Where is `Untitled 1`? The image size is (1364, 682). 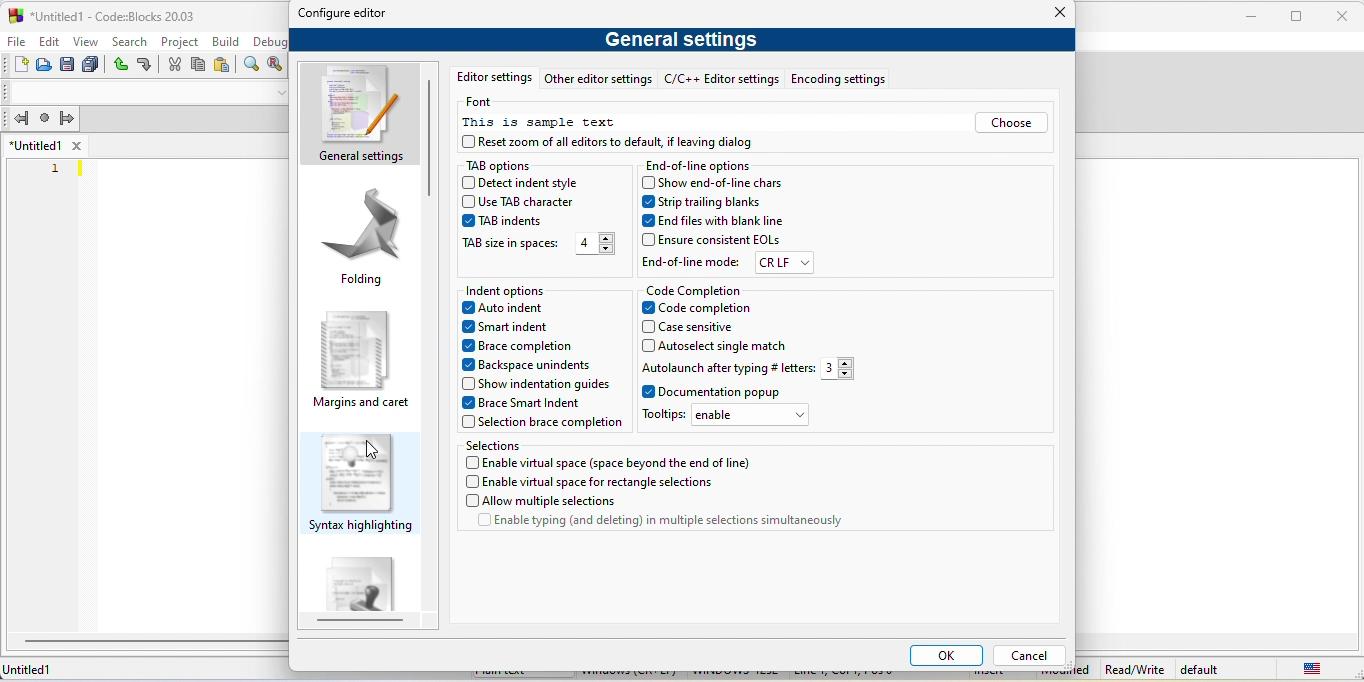 Untitled 1 is located at coordinates (28, 670).